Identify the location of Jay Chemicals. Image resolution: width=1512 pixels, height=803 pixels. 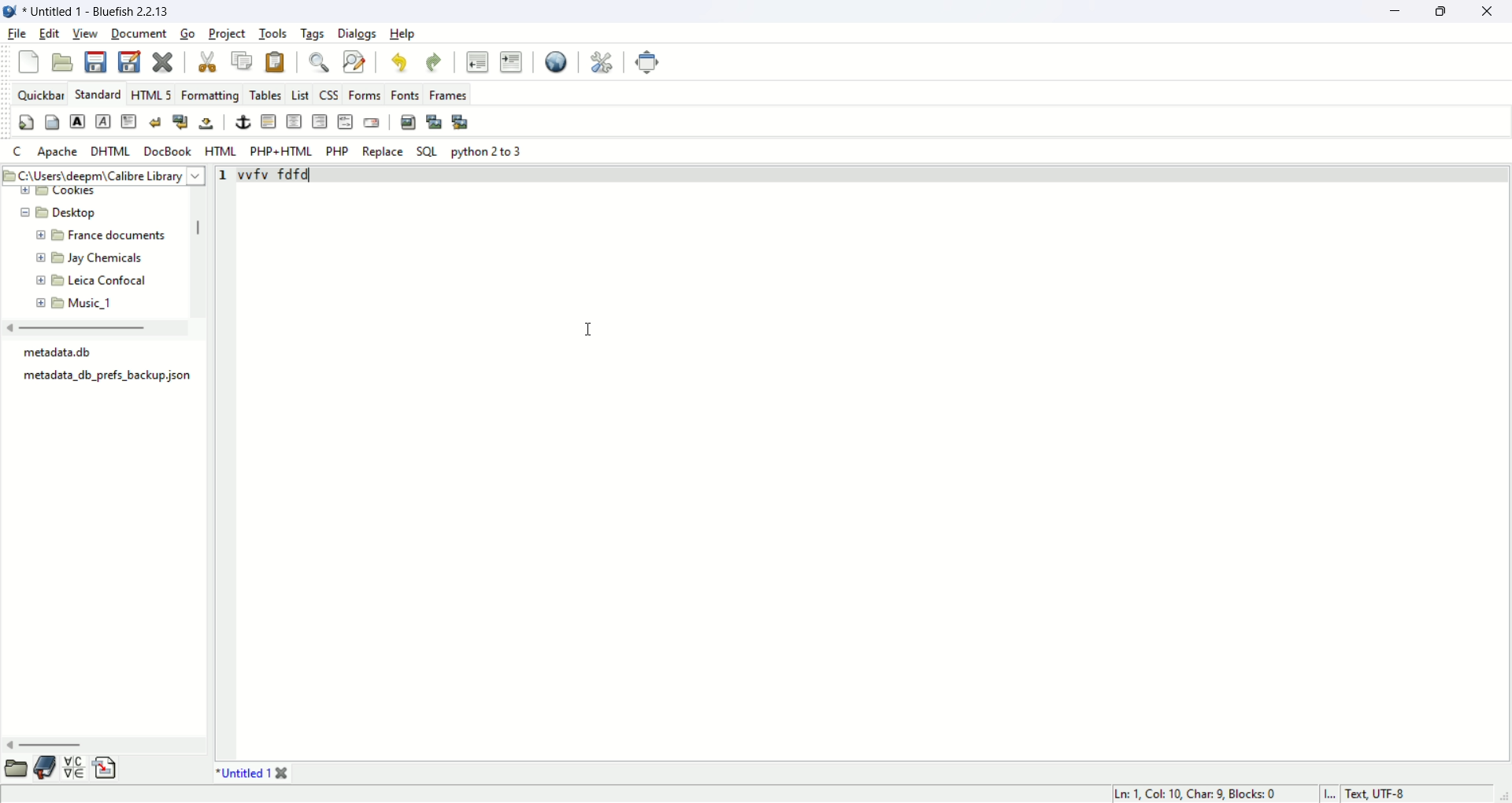
(109, 258).